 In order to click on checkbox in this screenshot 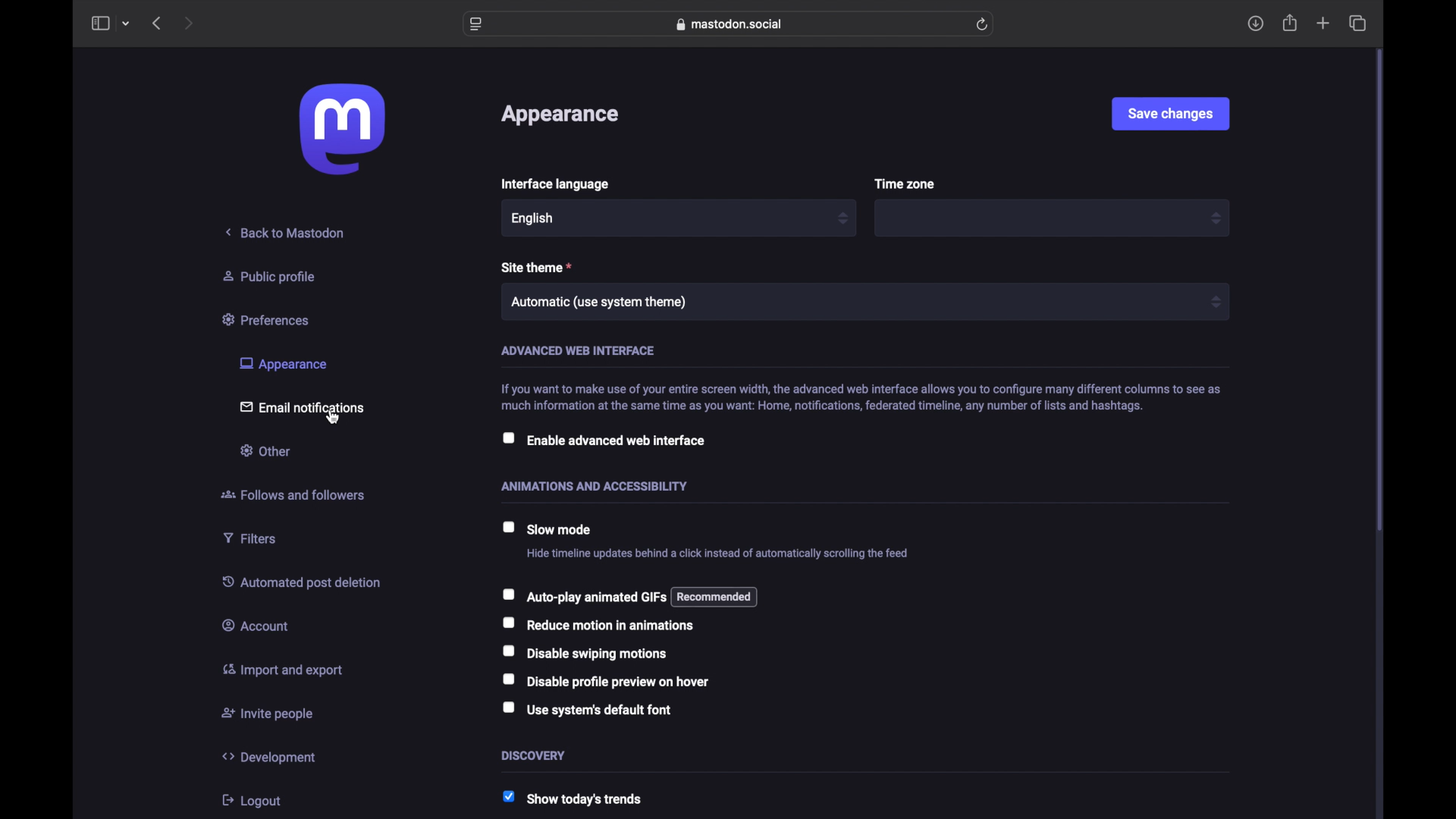, I will do `click(582, 596)`.